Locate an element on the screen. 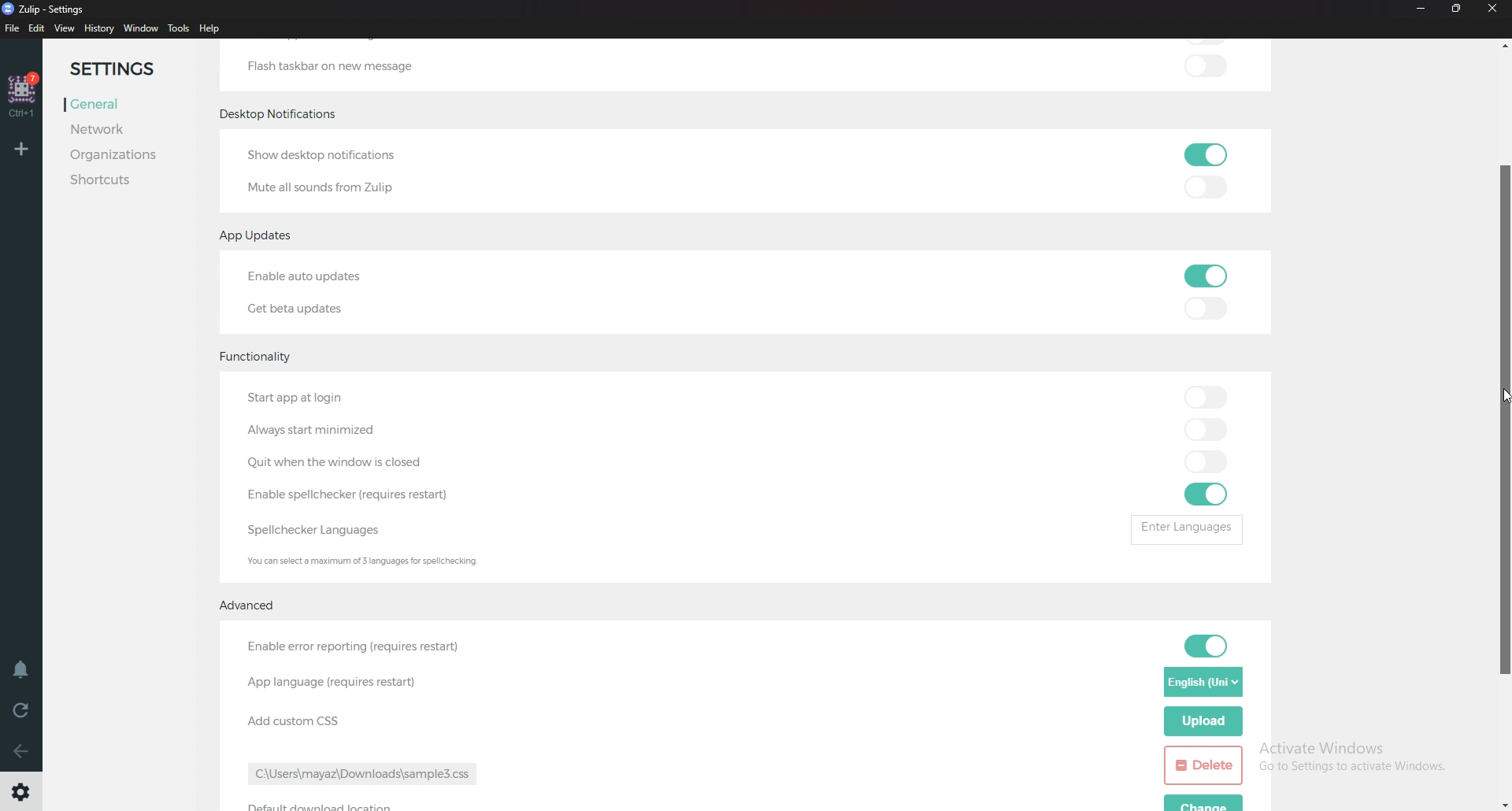  Enable Spell Checker is located at coordinates (354, 493).